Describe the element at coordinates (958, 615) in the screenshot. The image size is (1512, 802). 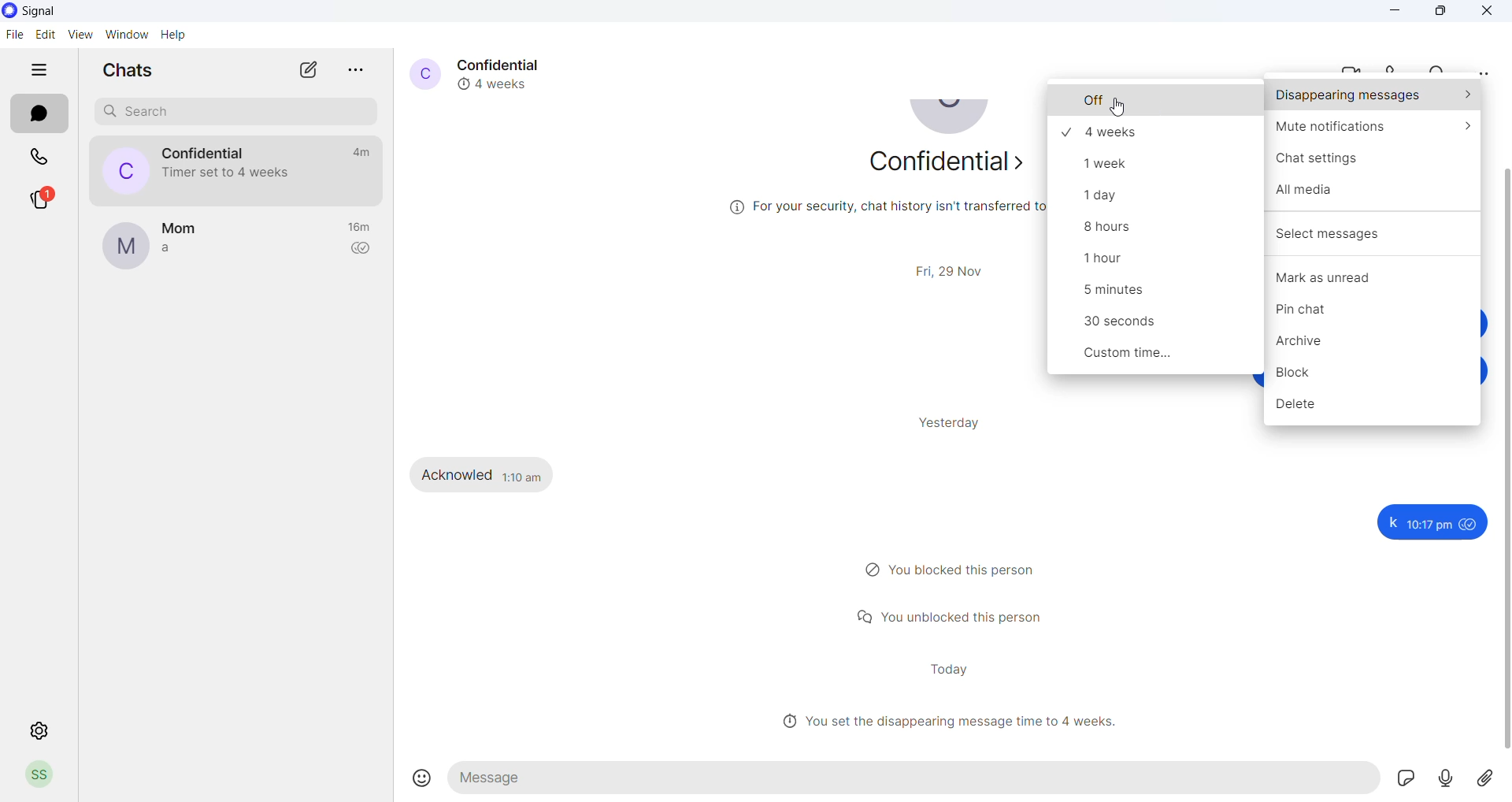
I see `unblocked heading` at that location.